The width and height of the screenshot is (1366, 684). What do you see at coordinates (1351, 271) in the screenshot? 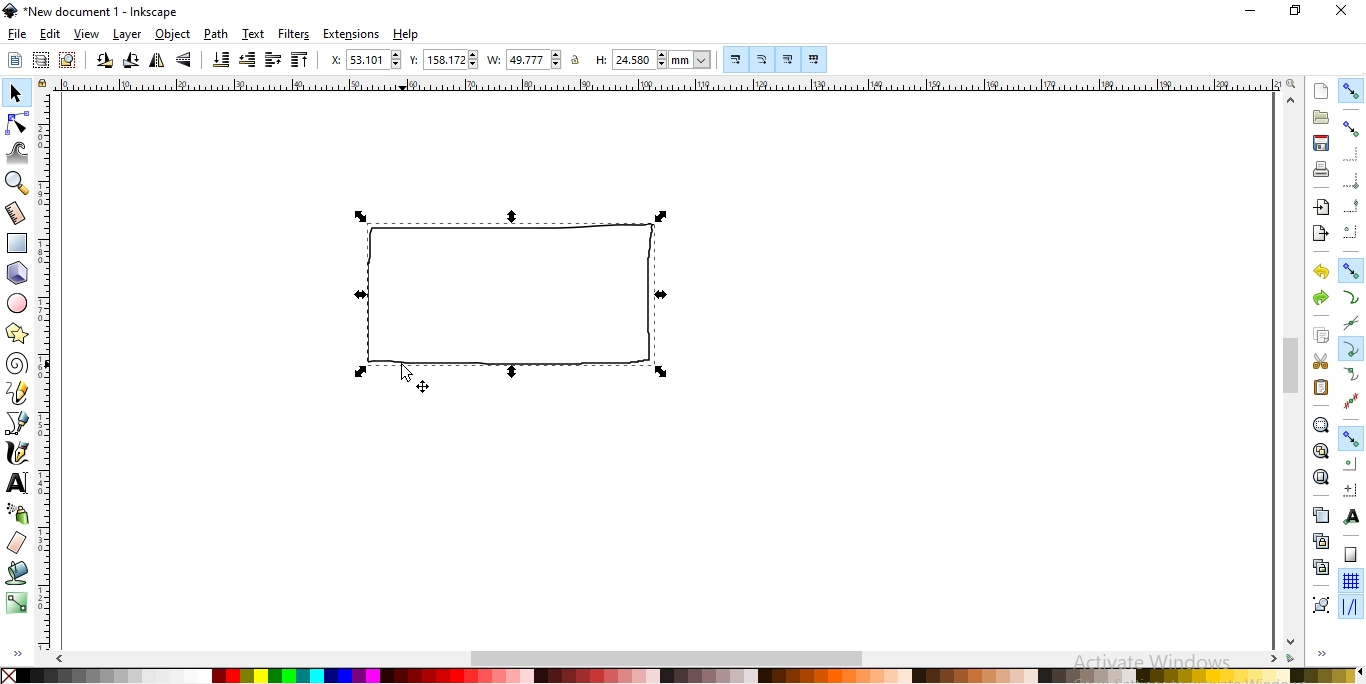
I see `snap nodes, paths and handles` at bounding box center [1351, 271].